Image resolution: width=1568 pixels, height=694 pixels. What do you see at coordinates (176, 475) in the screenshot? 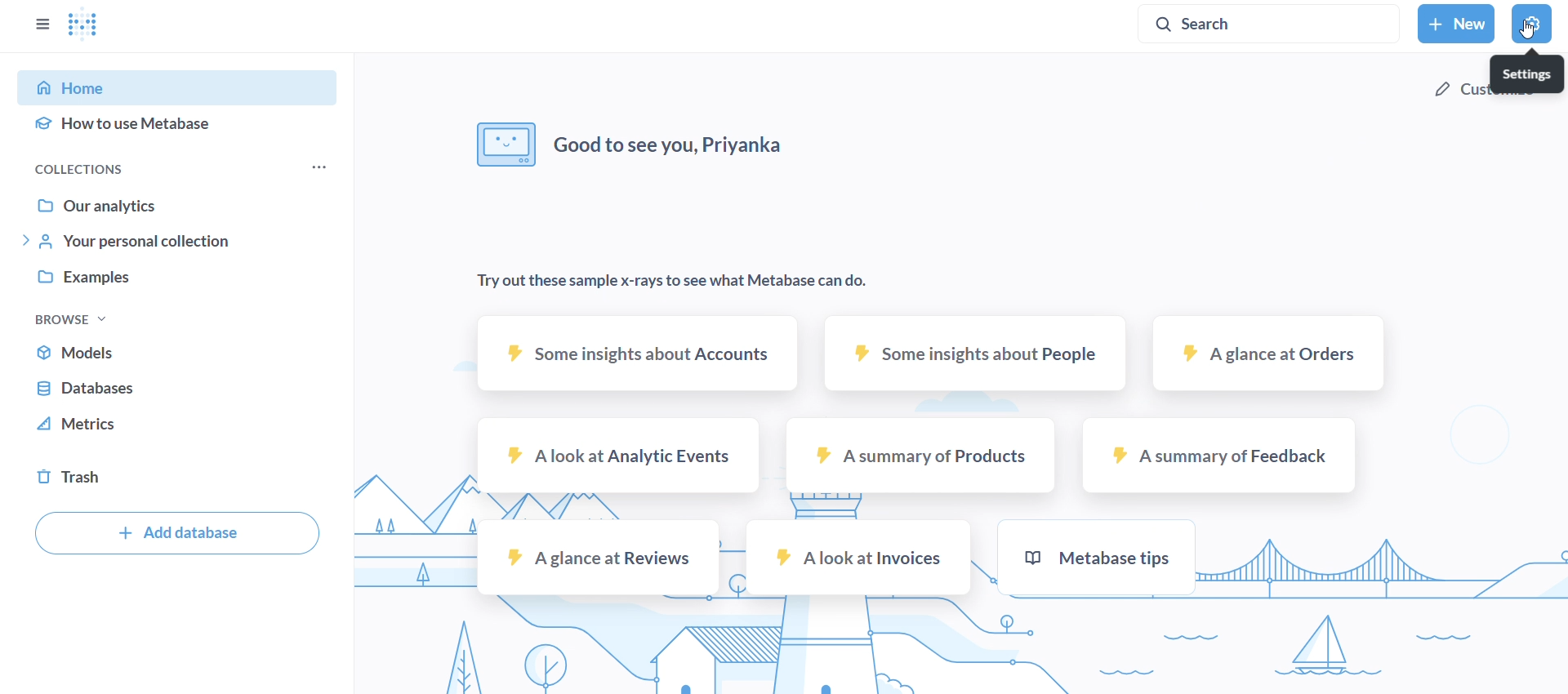
I see `trash` at bounding box center [176, 475].